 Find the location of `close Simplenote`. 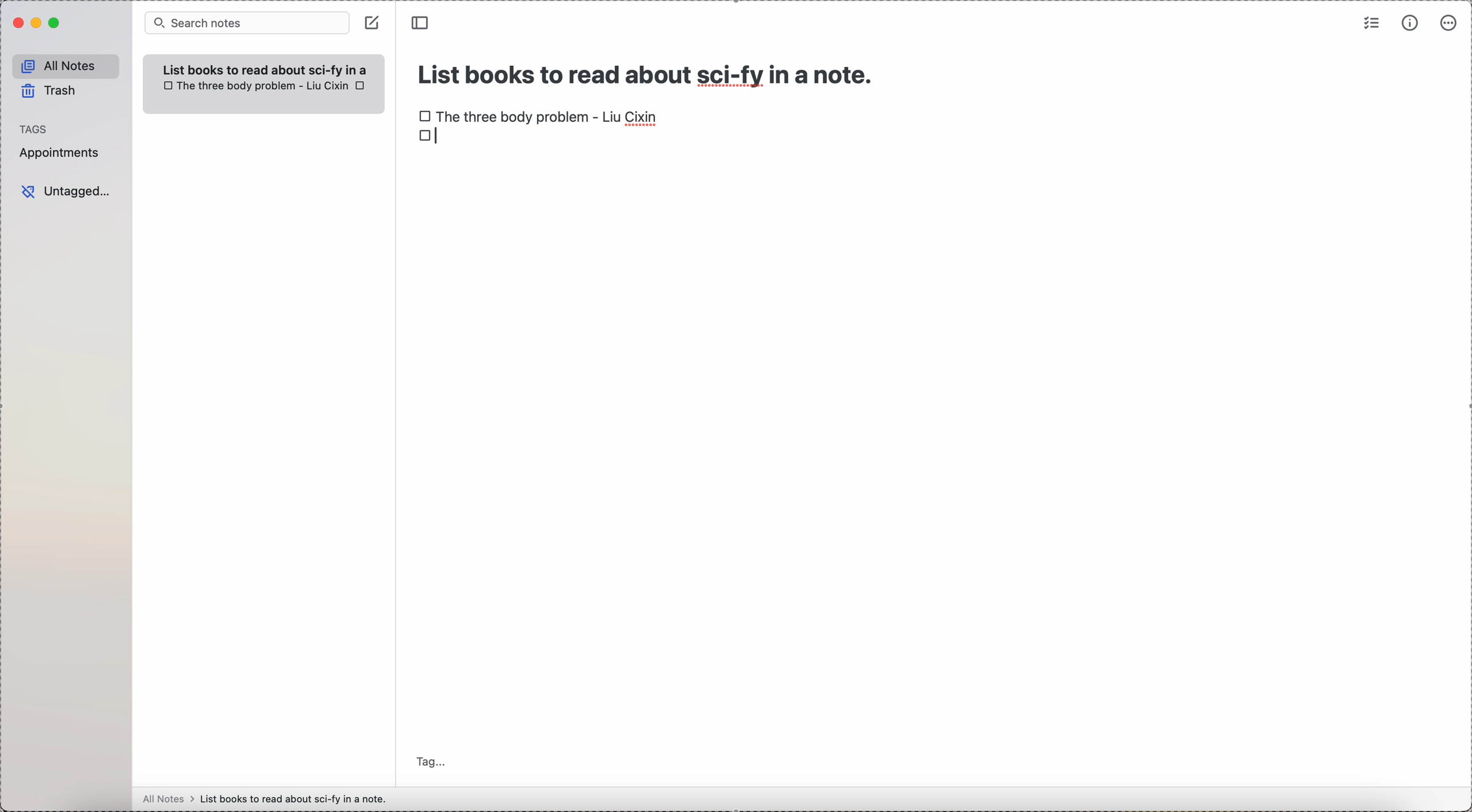

close Simplenote is located at coordinates (16, 23).